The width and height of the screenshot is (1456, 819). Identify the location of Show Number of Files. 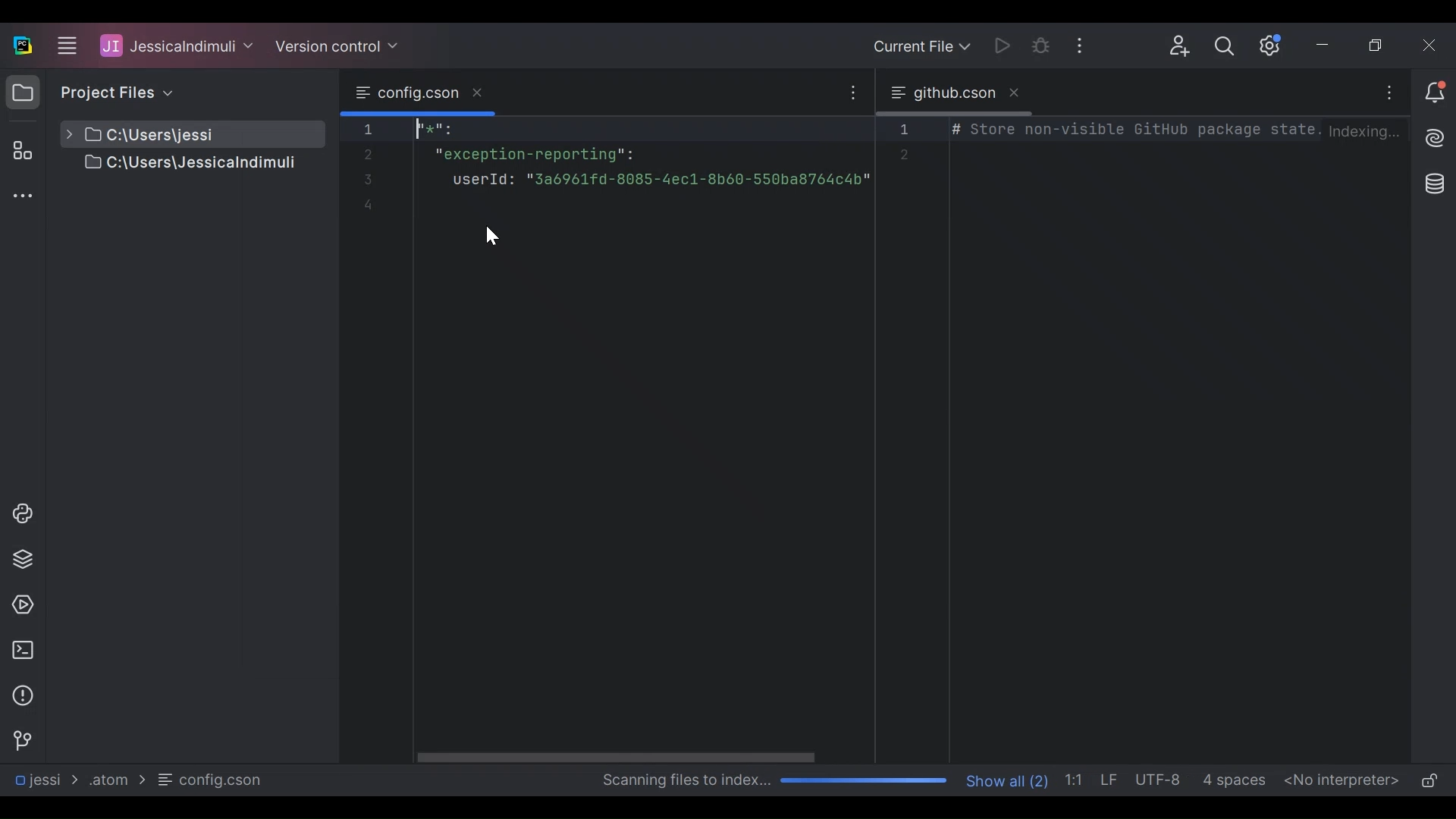
(1009, 779).